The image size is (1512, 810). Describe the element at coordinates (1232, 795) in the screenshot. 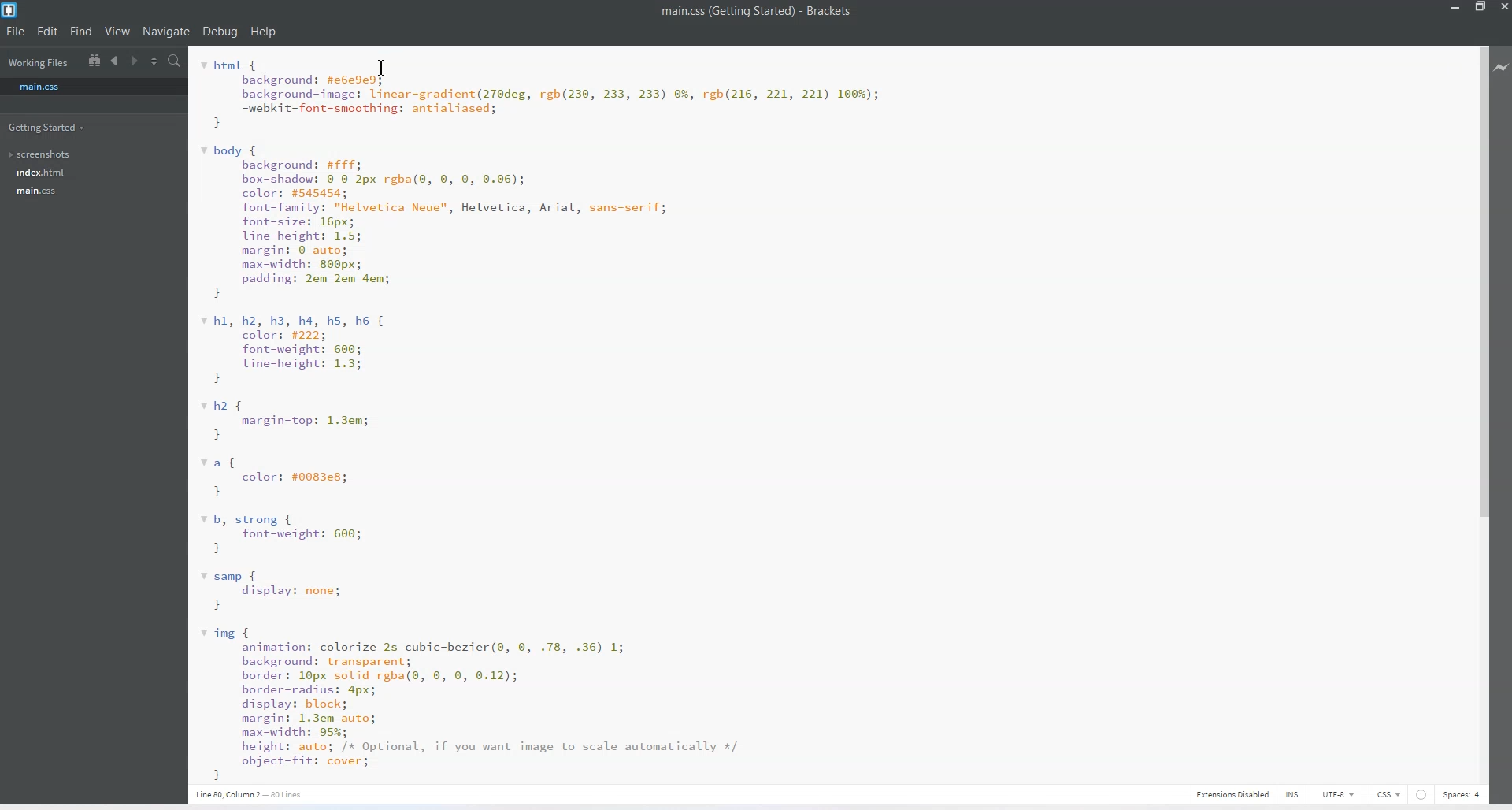

I see `Extensions Disabled` at that location.